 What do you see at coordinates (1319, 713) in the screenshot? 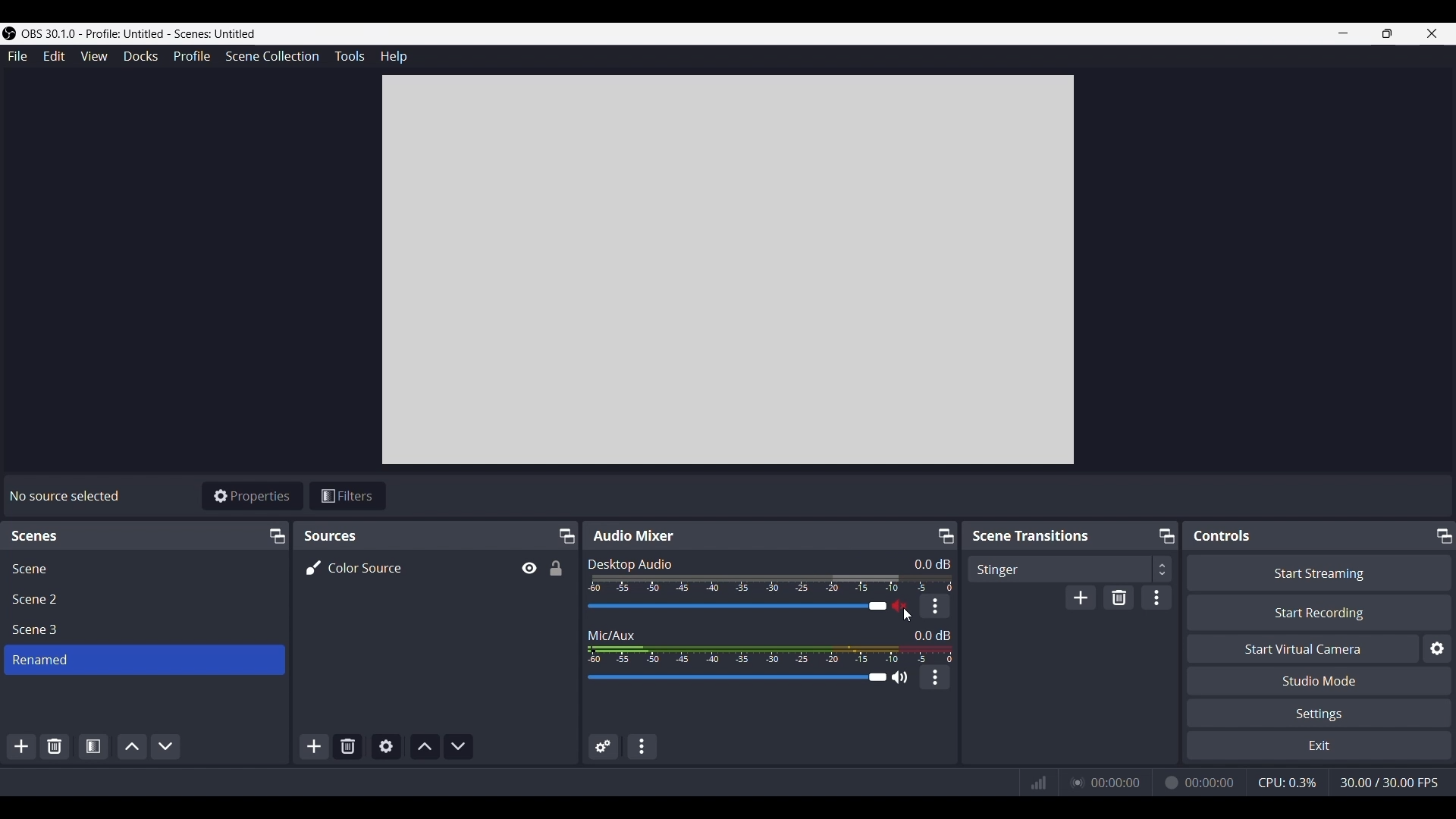
I see `Settings` at bounding box center [1319, 713].